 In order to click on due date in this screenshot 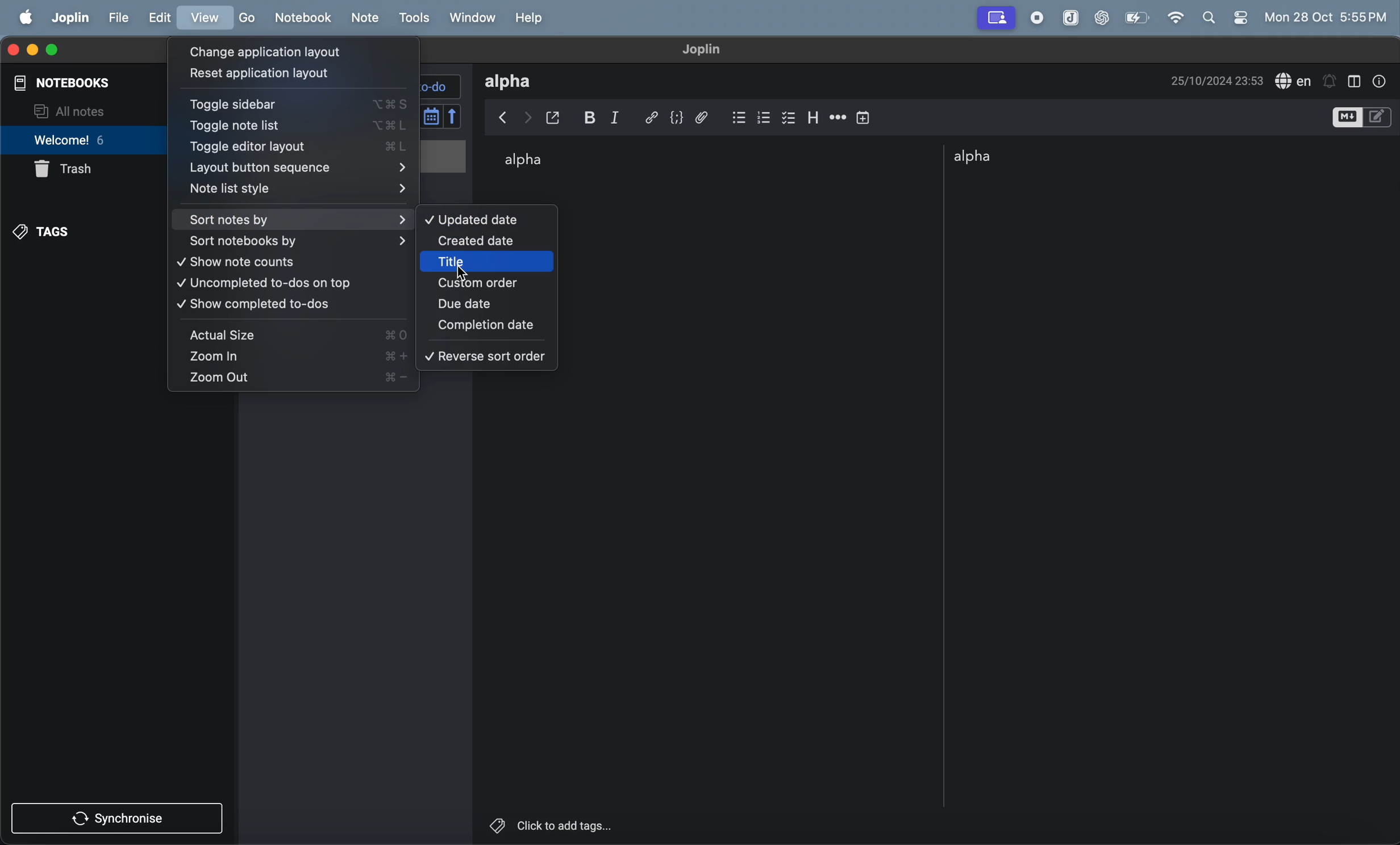, I will do `click(484, 303)`.